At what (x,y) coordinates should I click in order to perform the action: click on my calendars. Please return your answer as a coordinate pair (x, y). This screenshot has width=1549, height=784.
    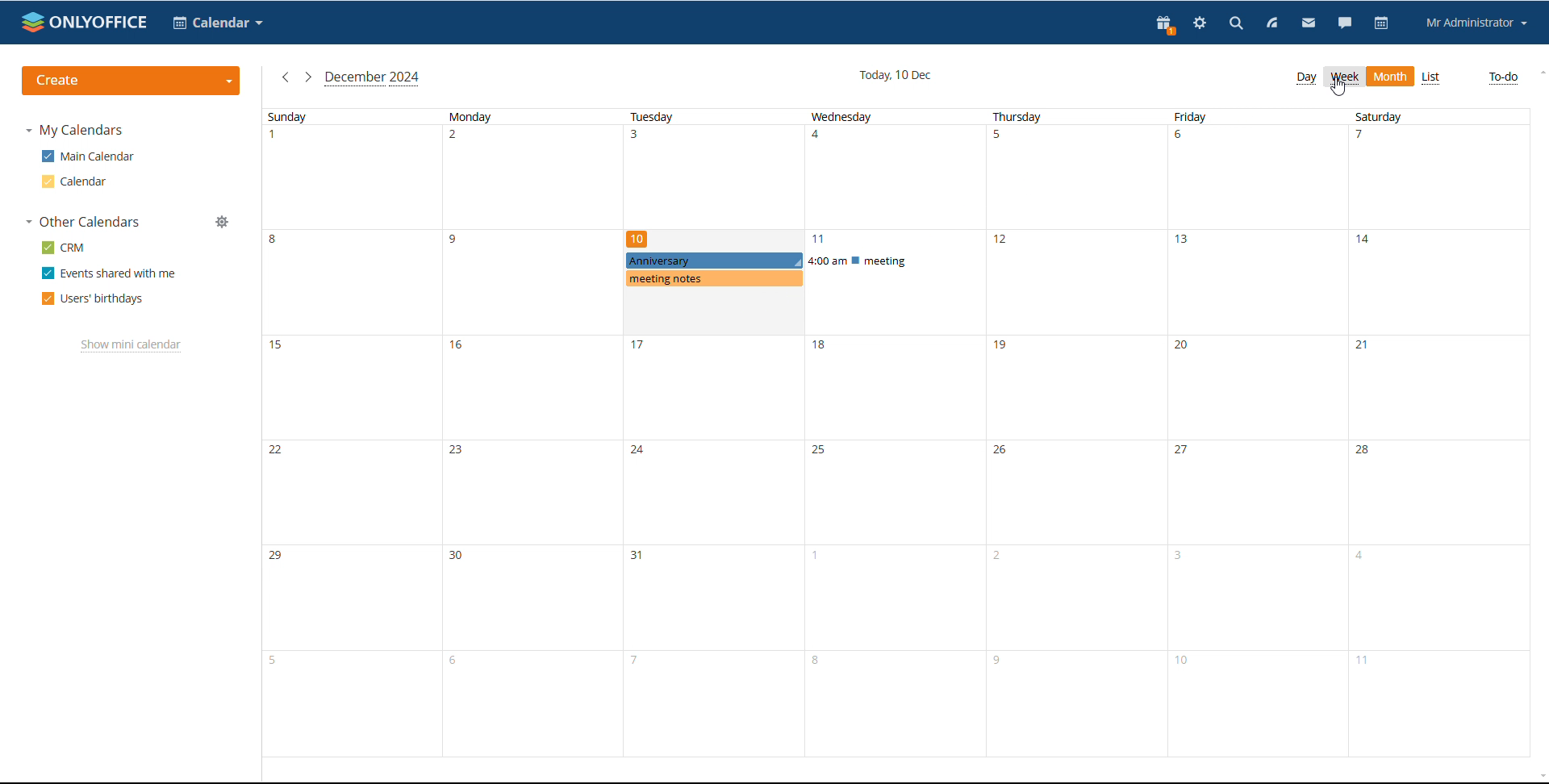
    Looking at the image, I should click on (79, 131).